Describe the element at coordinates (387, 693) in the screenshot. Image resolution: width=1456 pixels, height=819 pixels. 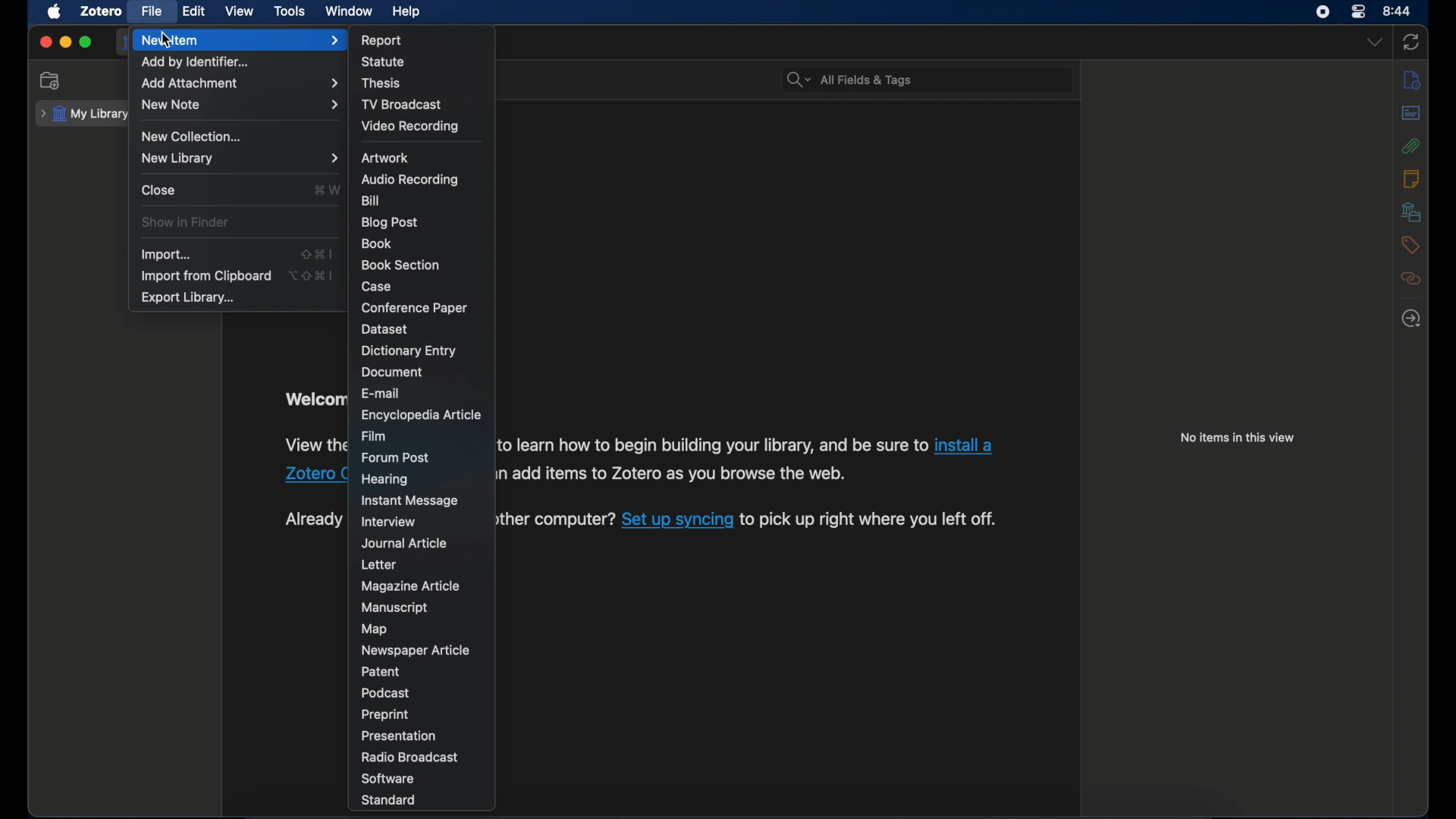
I see `podcast` at that location.